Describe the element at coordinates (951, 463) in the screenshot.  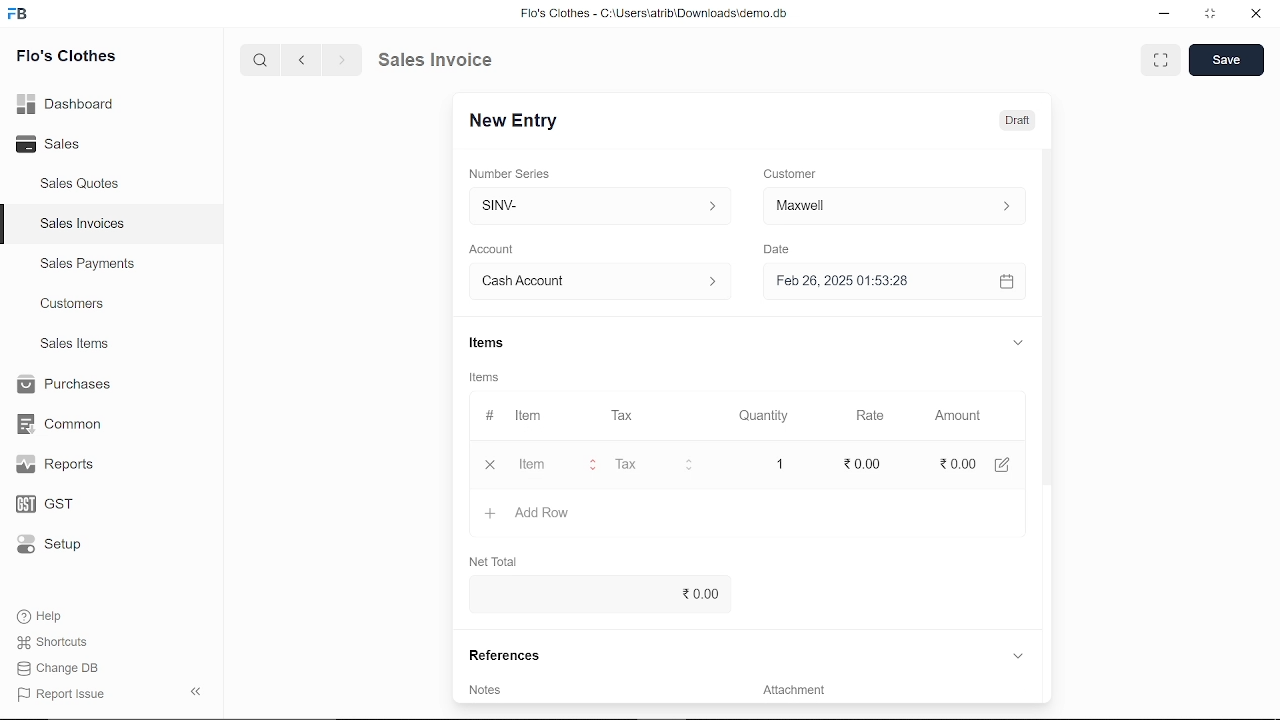
I see `0.00` at that location.